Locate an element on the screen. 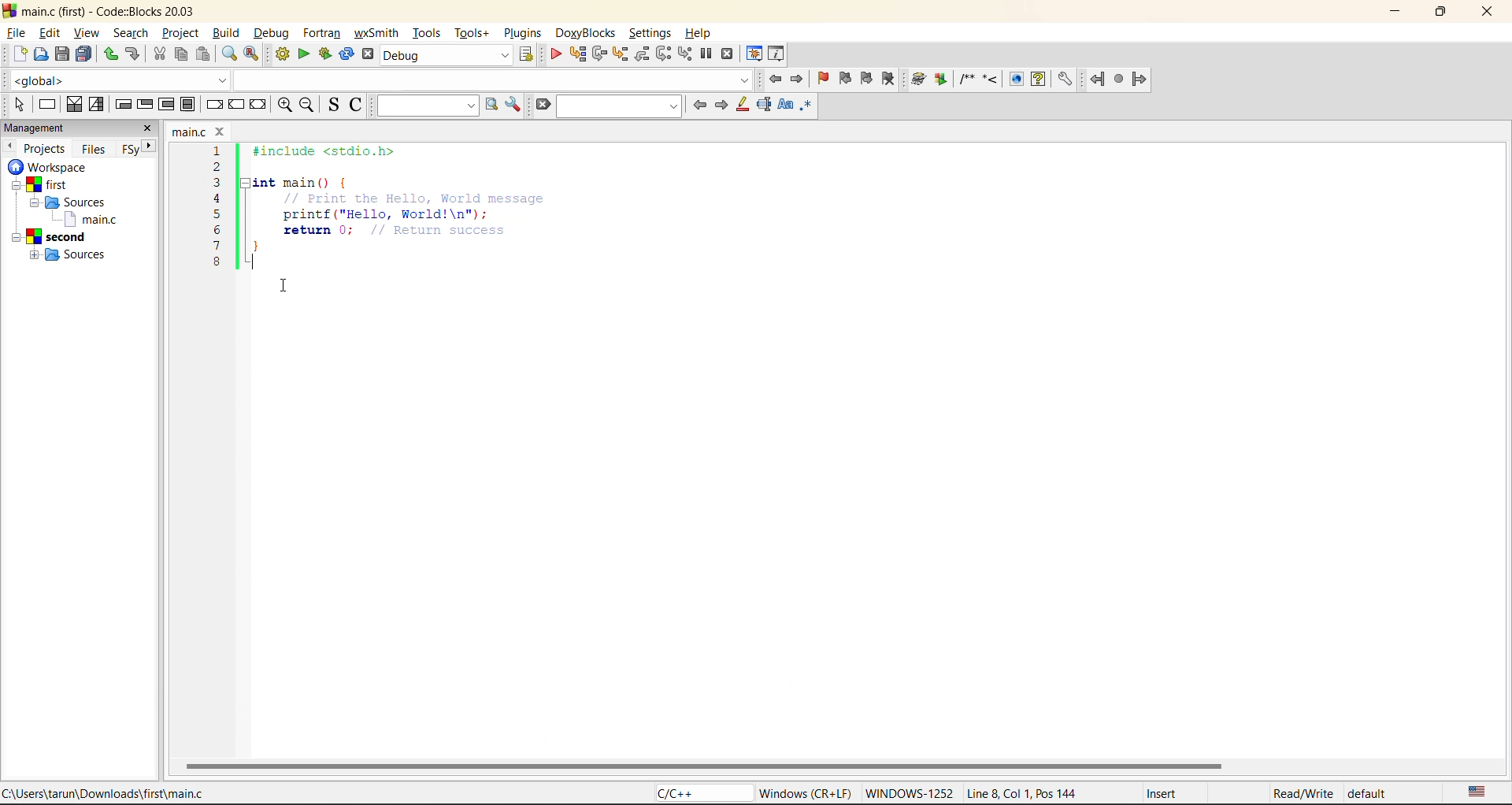 The width and height of the screenshot is (1512, 805). insert is located at coordinates (1165, 793).